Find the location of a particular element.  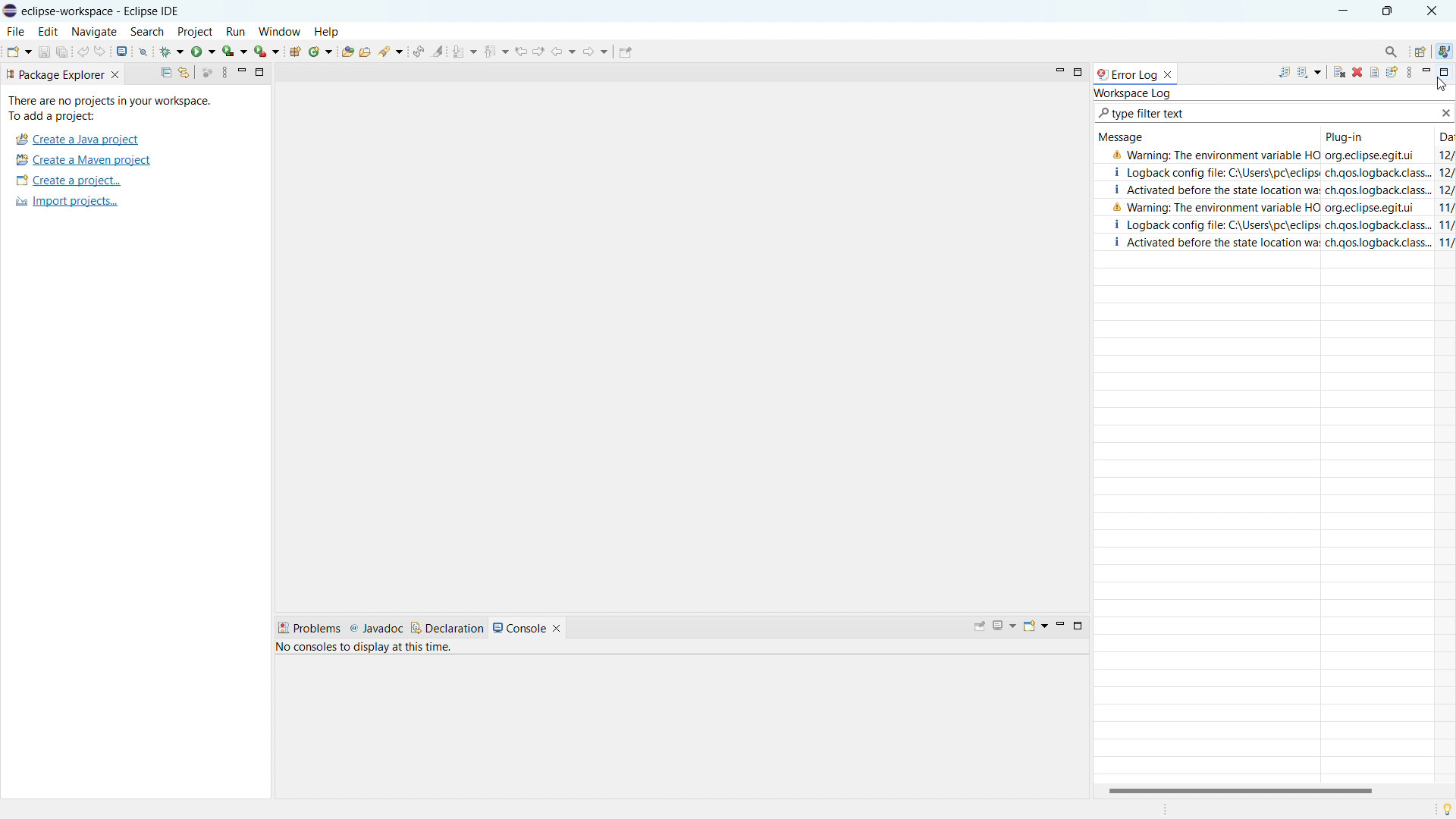

I Activated before the state location was ch.qos.logback.class...  12/ is located at coordinates (1278, 188).